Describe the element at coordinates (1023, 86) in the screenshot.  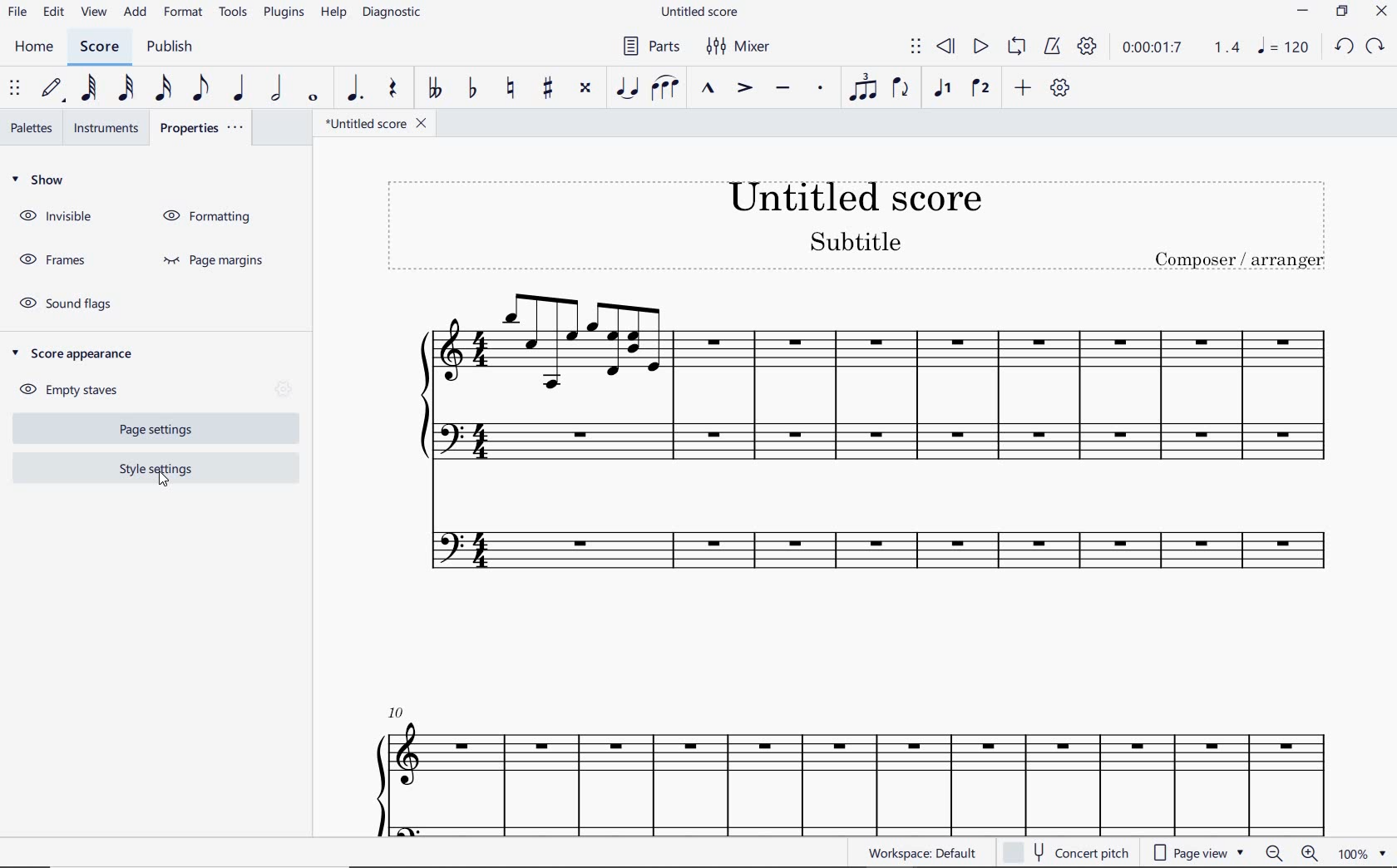
I see `ADD` at that location.